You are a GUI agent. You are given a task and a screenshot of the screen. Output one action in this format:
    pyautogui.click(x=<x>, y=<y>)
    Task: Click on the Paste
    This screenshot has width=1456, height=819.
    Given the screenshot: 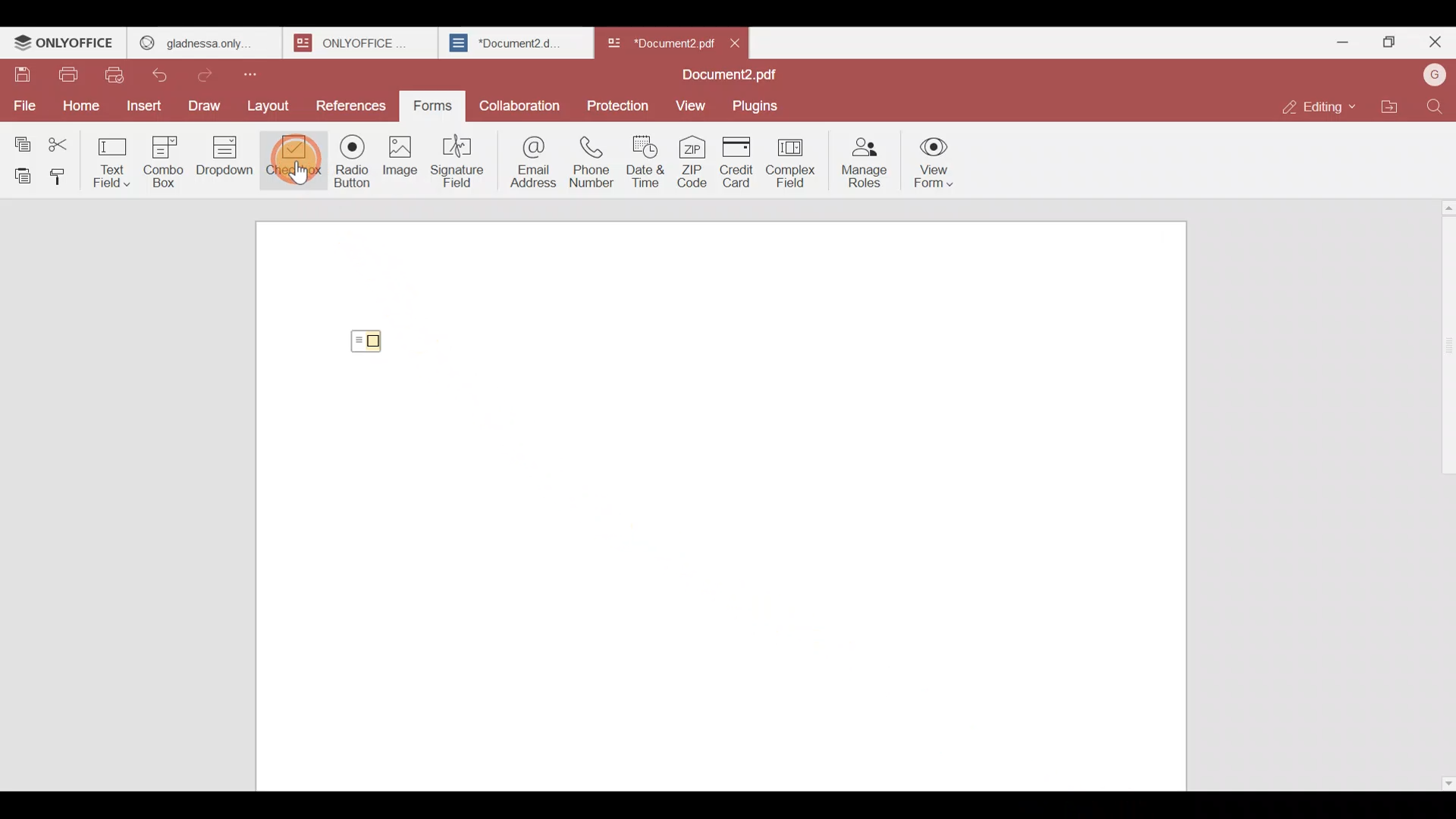 What is the action you would take?
    pyautogui.click(x=20, y=174)
    